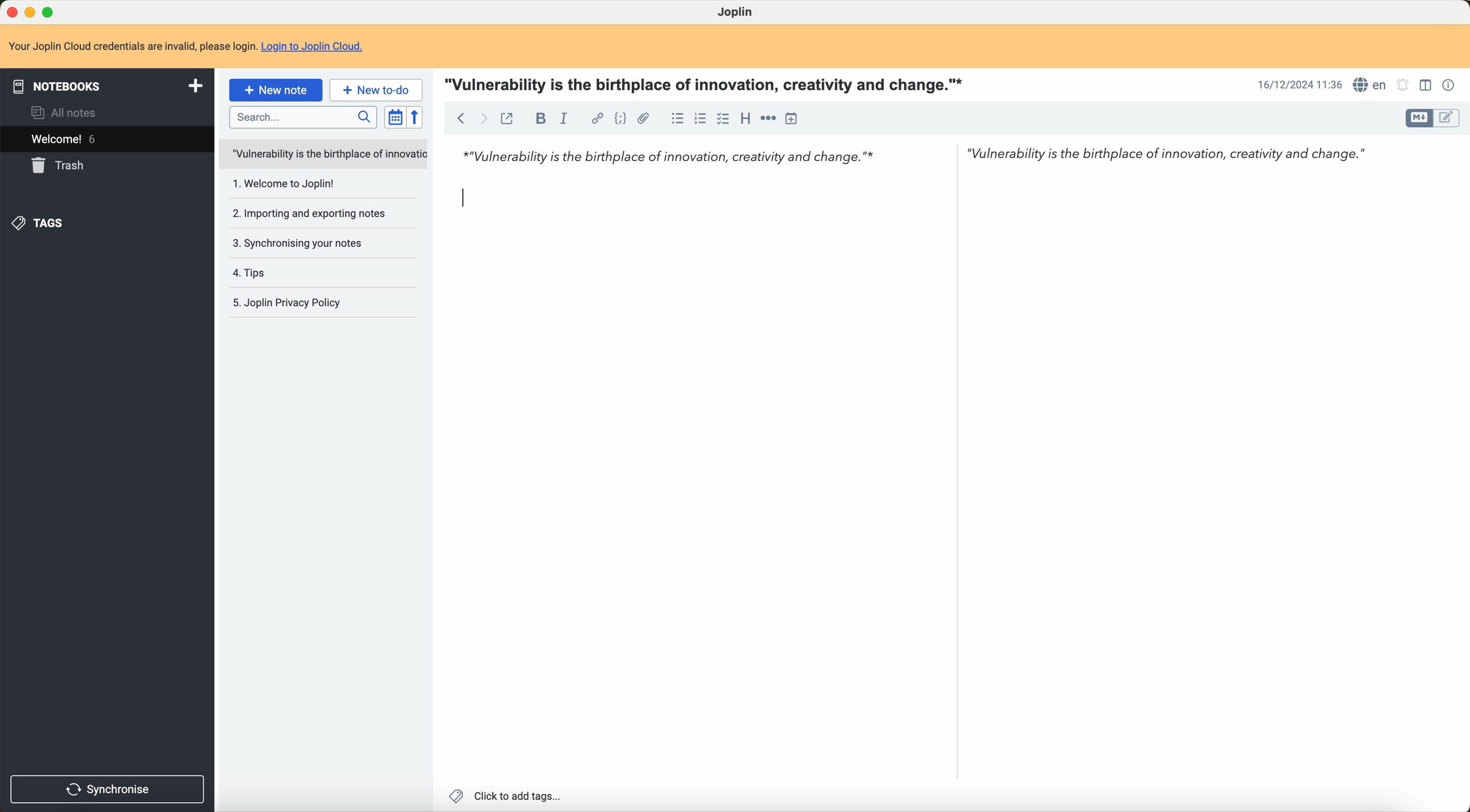  What do you see at coordinates (644, 118) in the screenshot?
I see `attach file` at bounding box center [644, 118].